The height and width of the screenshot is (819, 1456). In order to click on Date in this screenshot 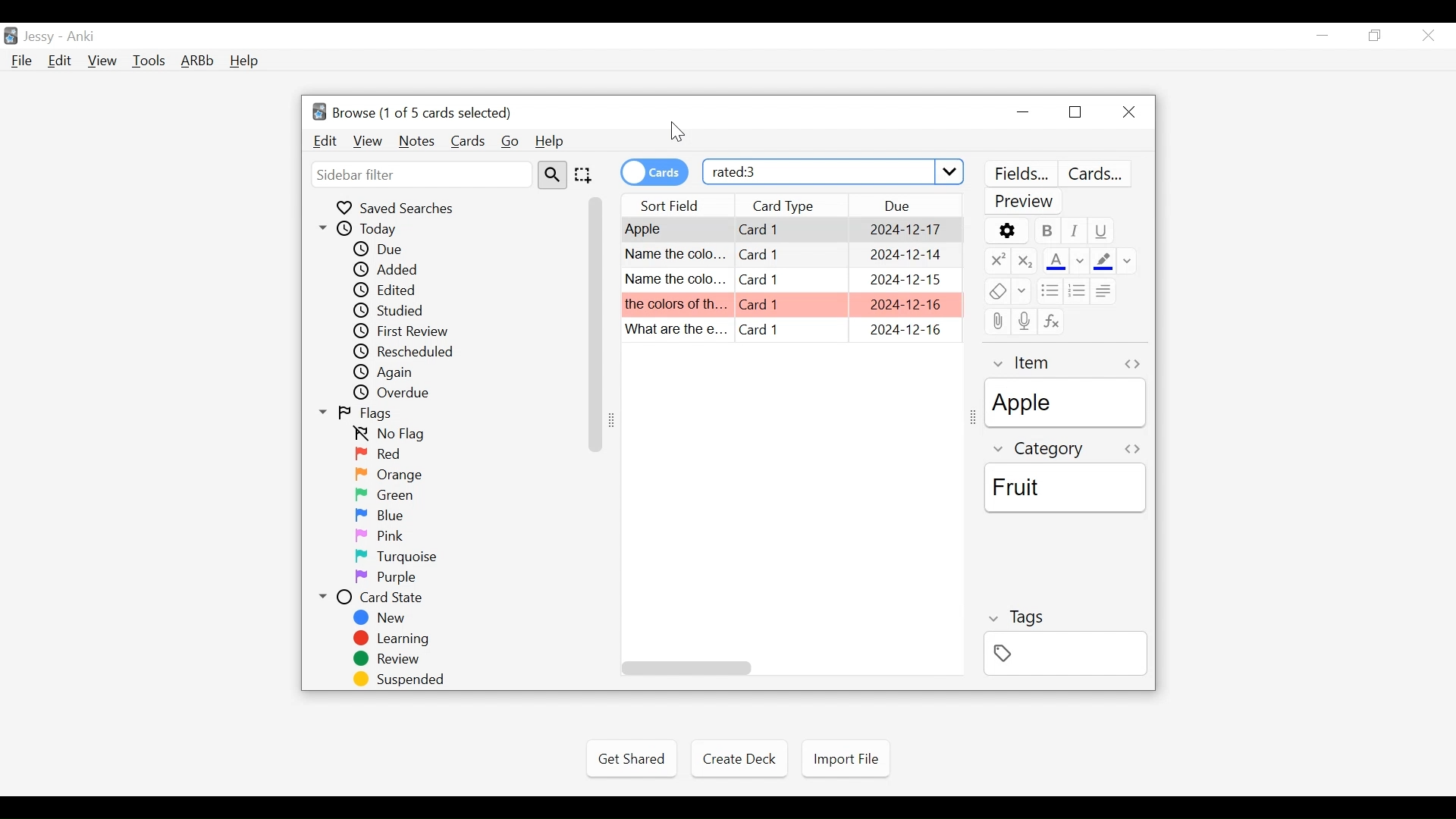, I will do `click(906, 332)`.